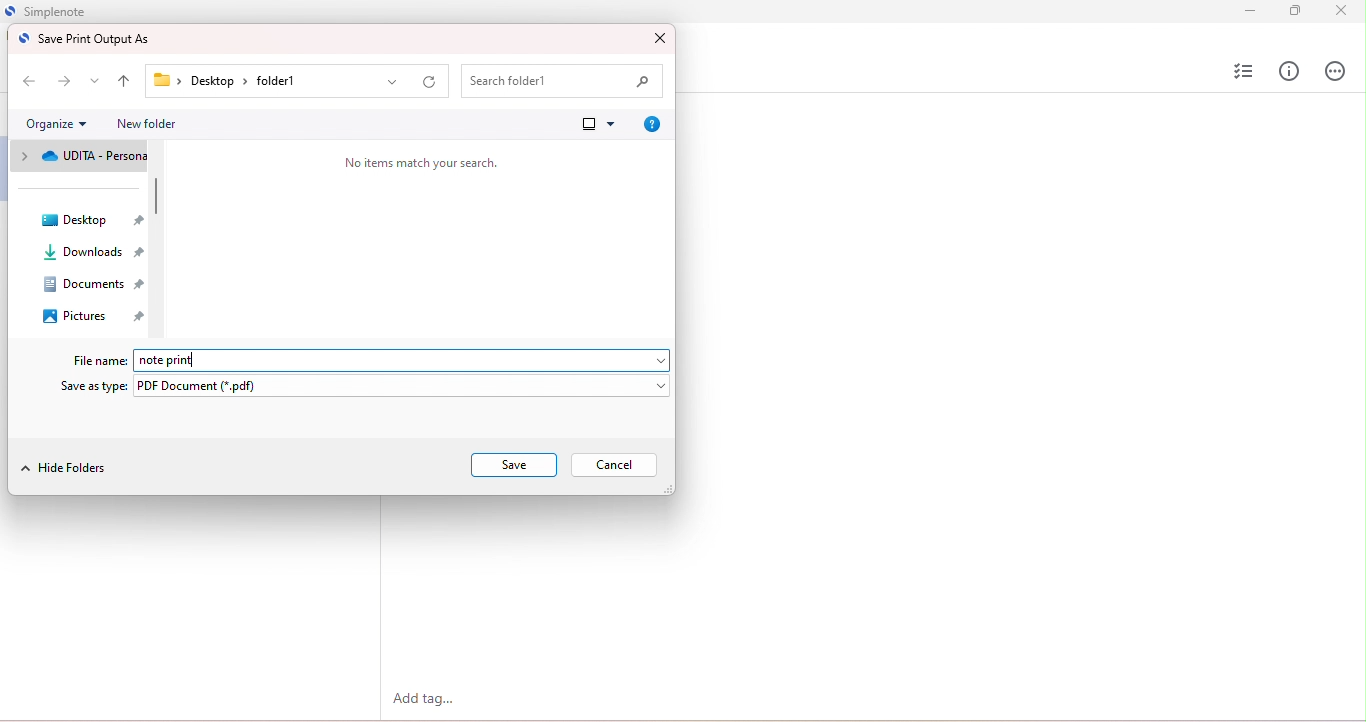 The height and width of the screenshot is (722, 1366). I want to click on file name, so click(101, 360).